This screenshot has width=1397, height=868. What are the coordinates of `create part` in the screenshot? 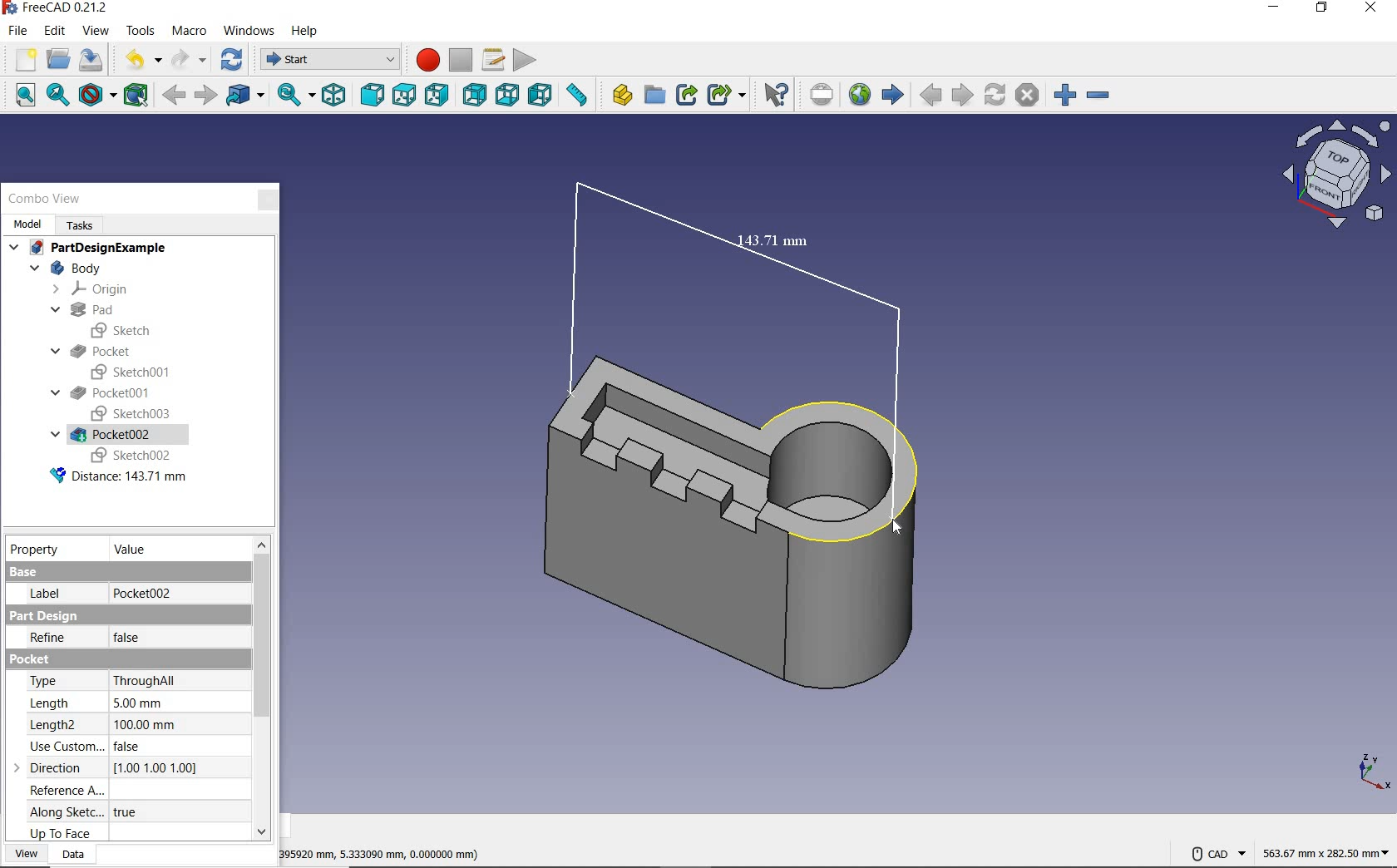 It's located at (618, 96).